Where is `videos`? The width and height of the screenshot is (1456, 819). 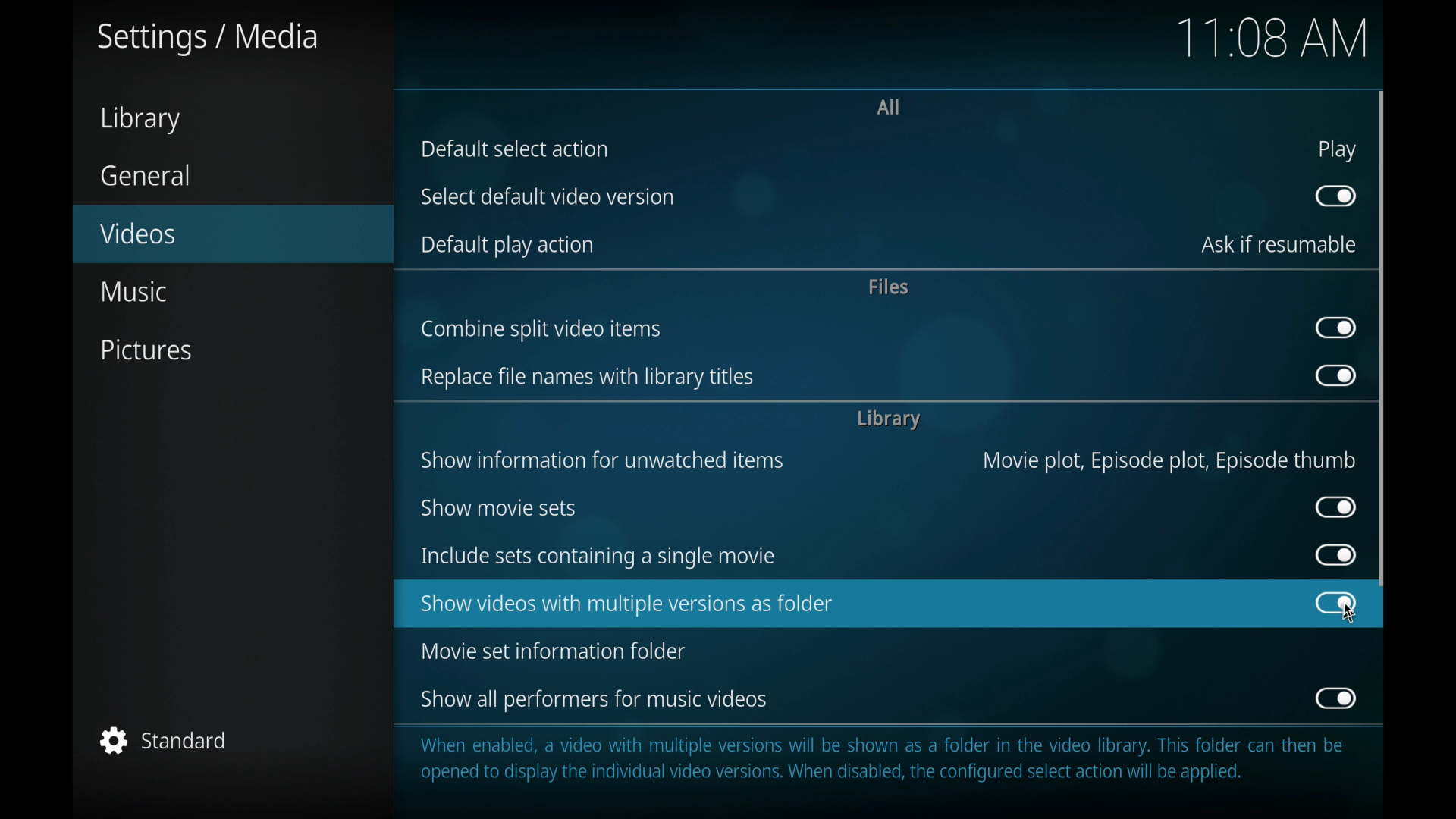 videos is located at coordinates (234, 234).